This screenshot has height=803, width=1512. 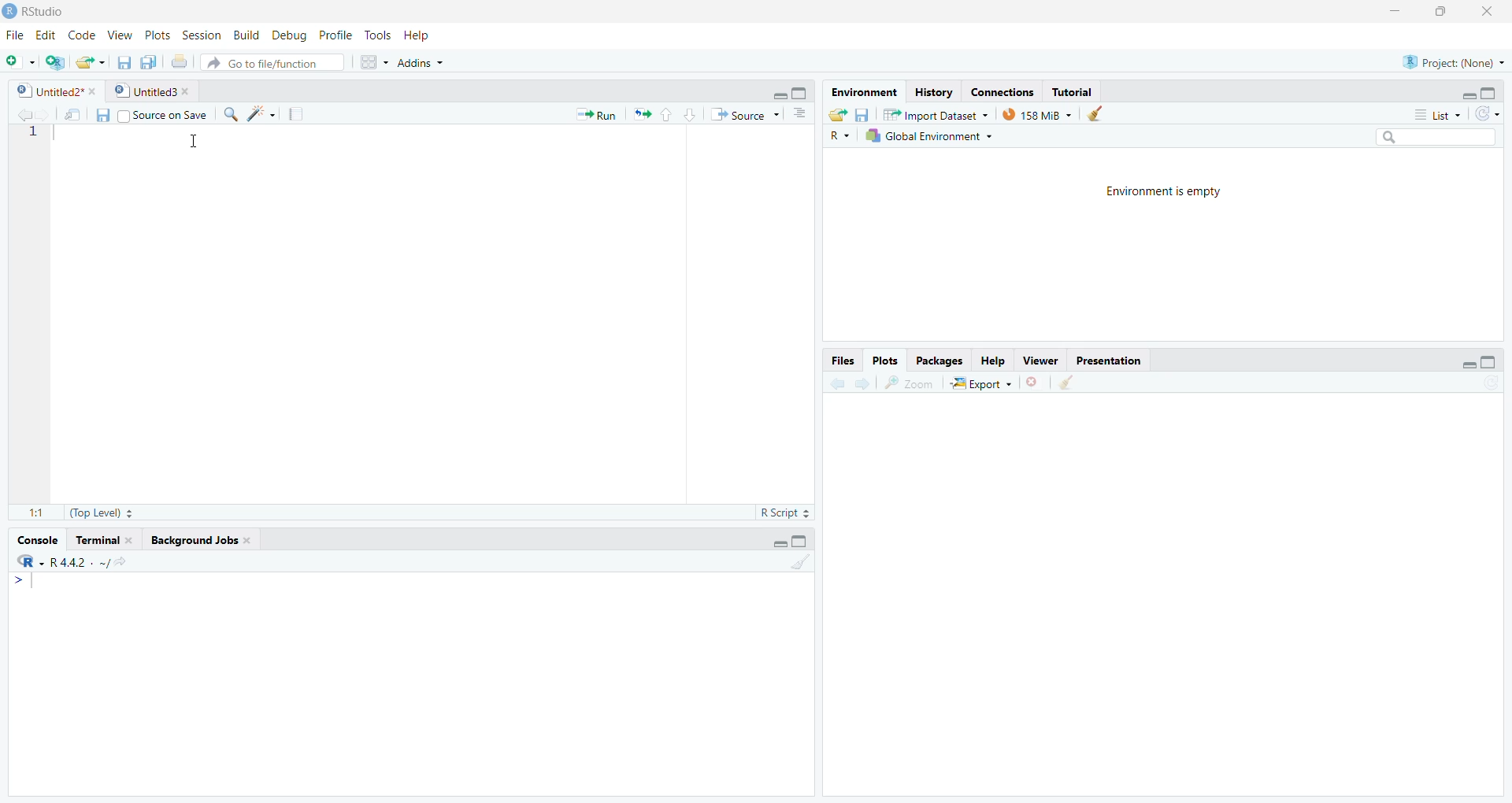 I want to click on Export, so click(x=984, y=381).